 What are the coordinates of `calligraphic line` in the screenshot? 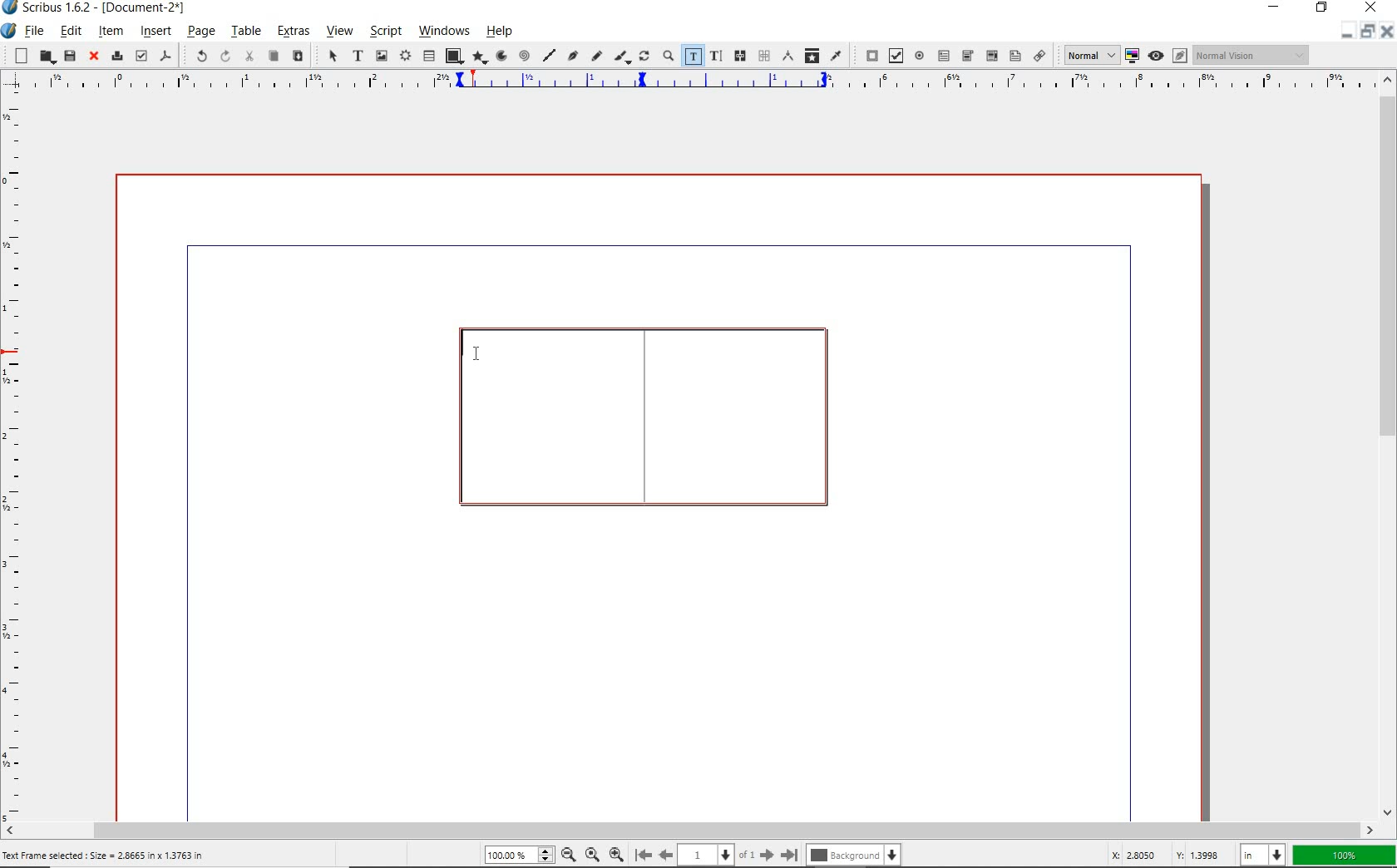 It's located at (620, 56).